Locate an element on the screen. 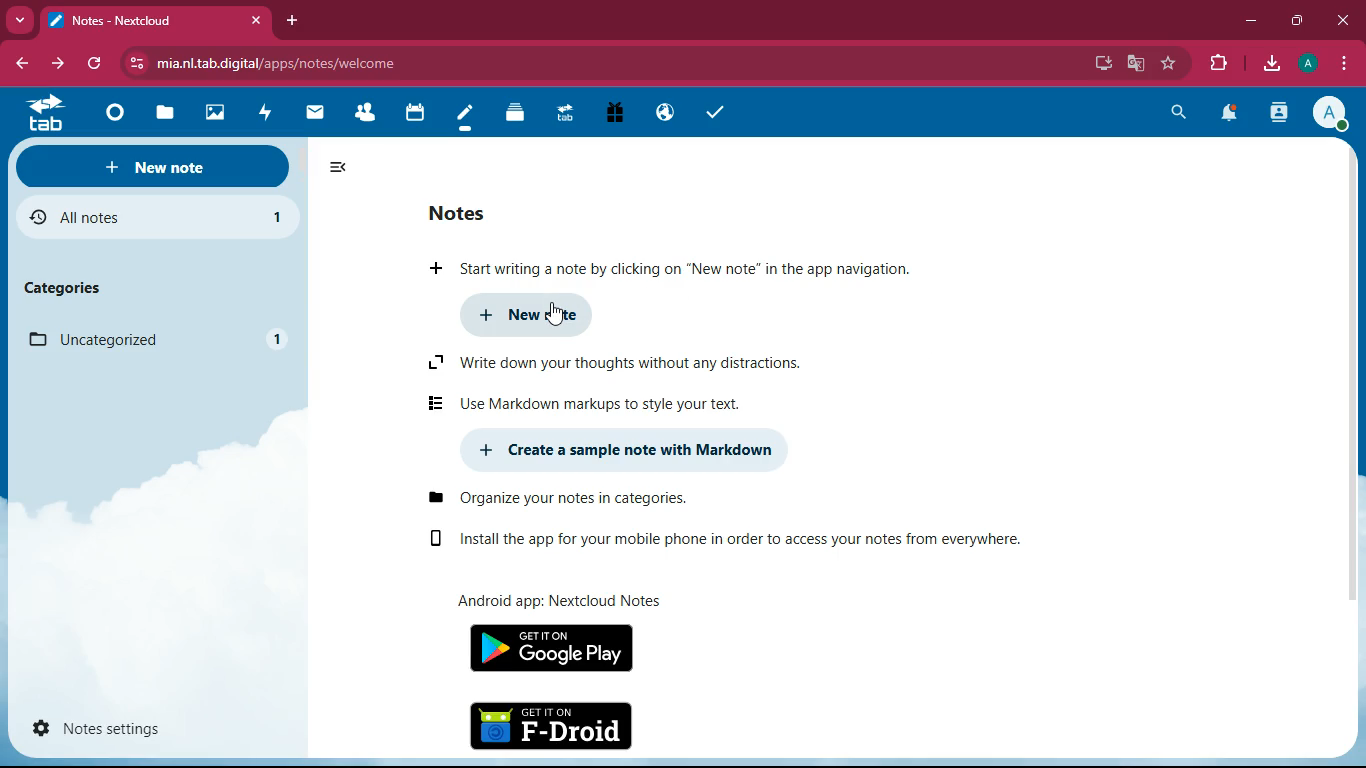  gift is located at coordinates (618, 114).